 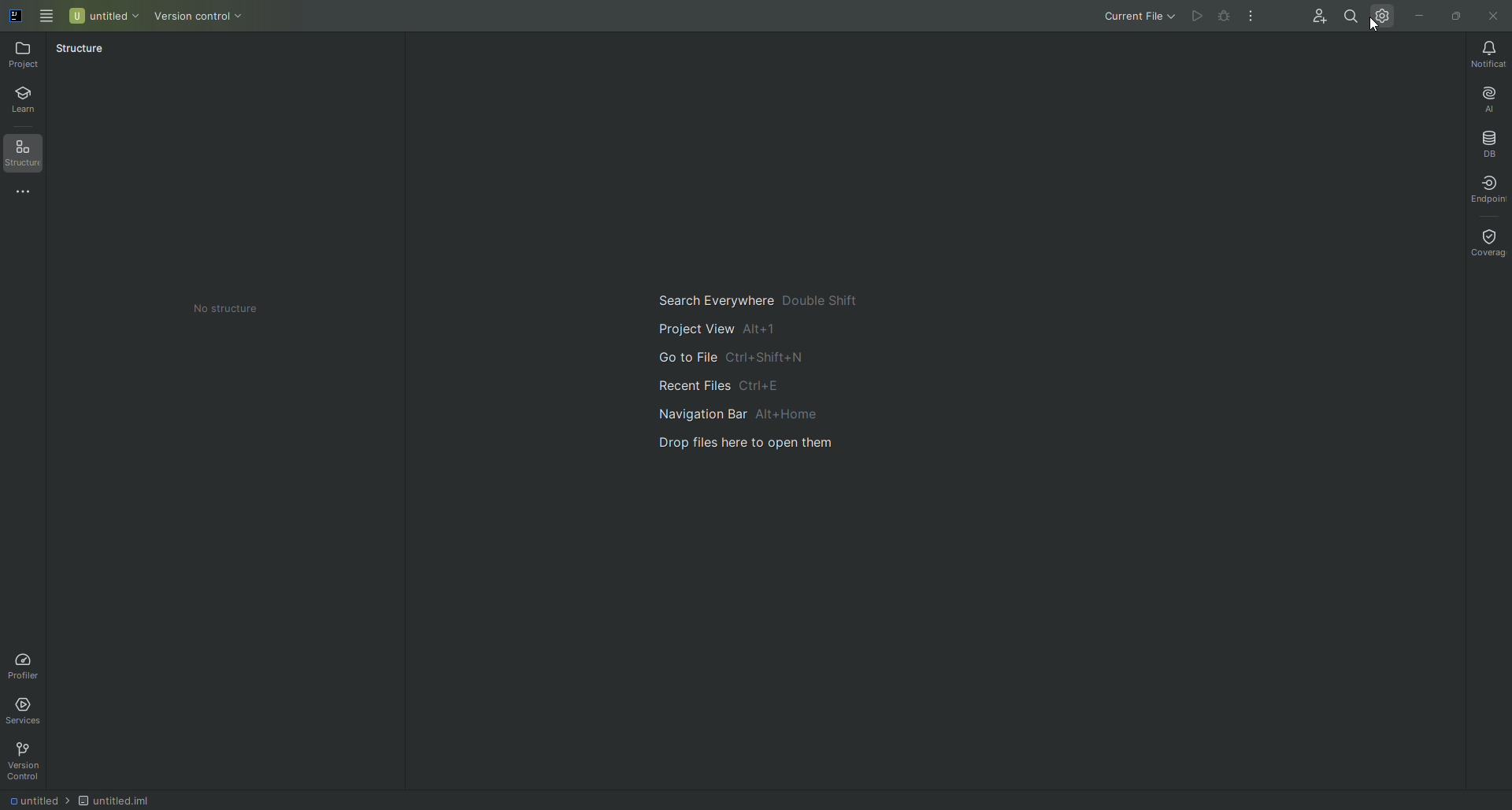 What do you see at coordinates (28, 96) in the screenshot?
I see `Learn` at bounding box center [28, 96].